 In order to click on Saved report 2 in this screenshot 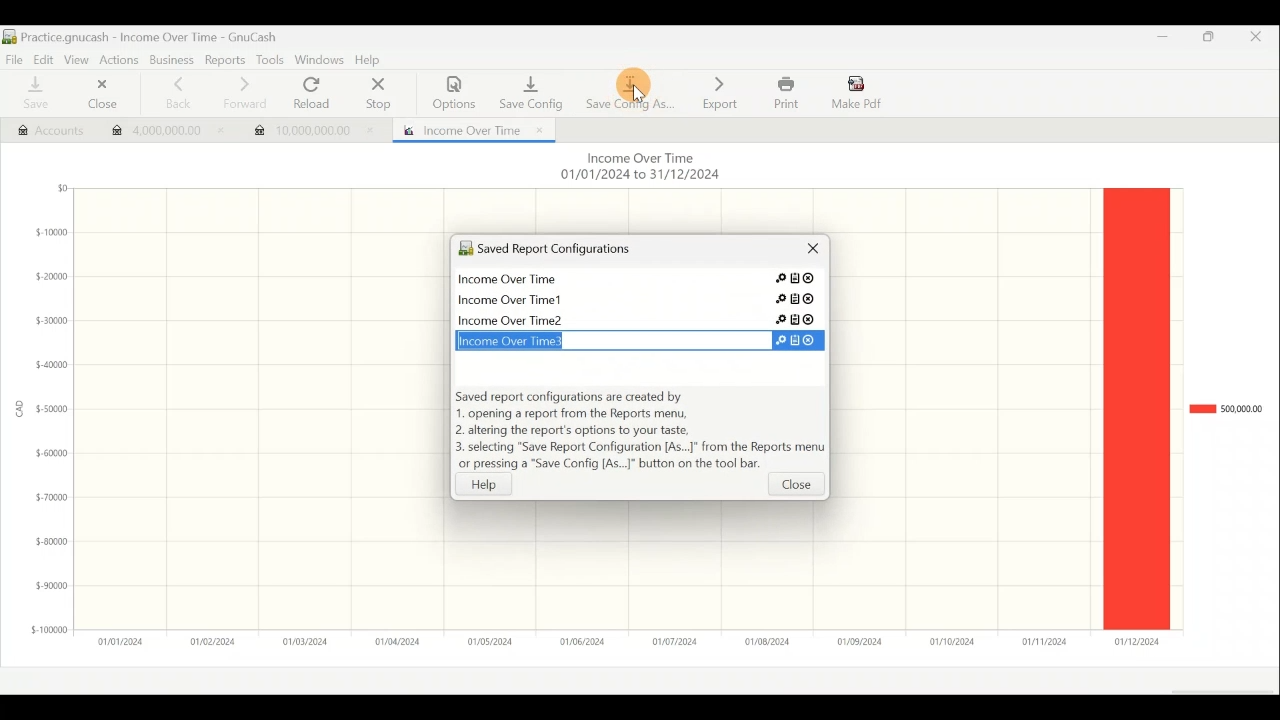, I will do `click(640, 297)`.